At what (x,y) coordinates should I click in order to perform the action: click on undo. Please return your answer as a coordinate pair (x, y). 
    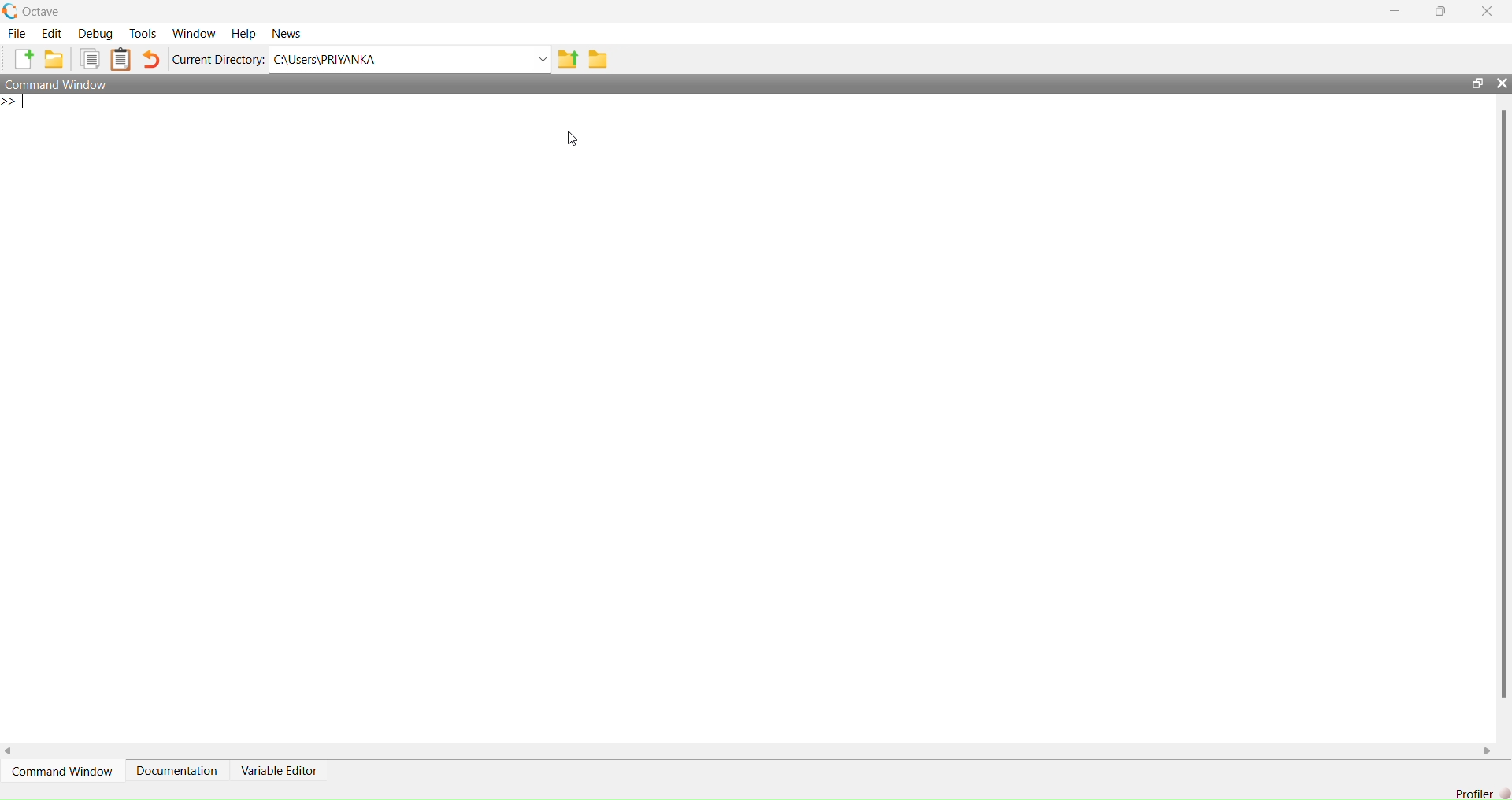
    Looking at the image, I should click on (153, 58).